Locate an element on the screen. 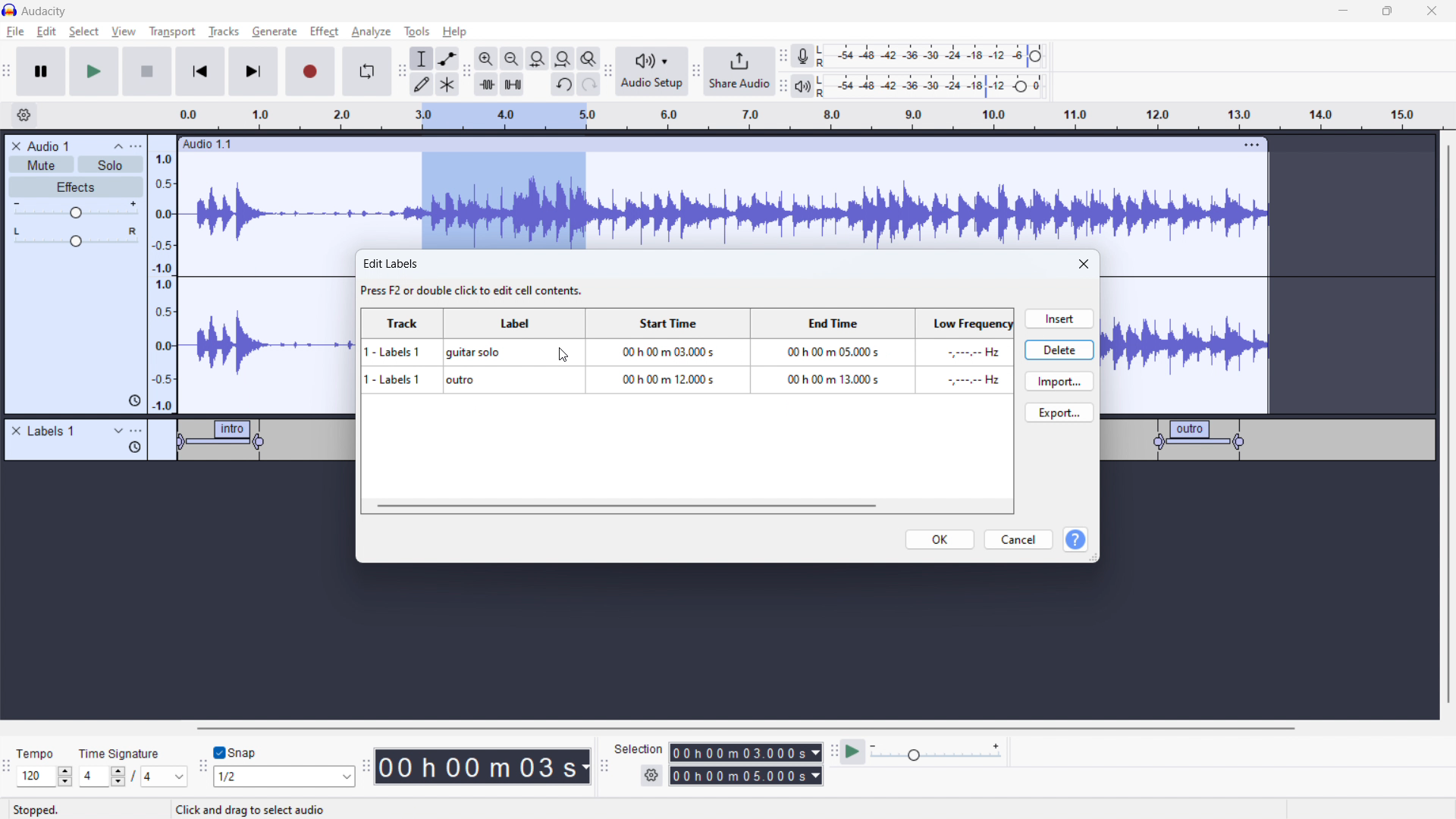  trim audio outside selection is located at coordinates (487, 83).